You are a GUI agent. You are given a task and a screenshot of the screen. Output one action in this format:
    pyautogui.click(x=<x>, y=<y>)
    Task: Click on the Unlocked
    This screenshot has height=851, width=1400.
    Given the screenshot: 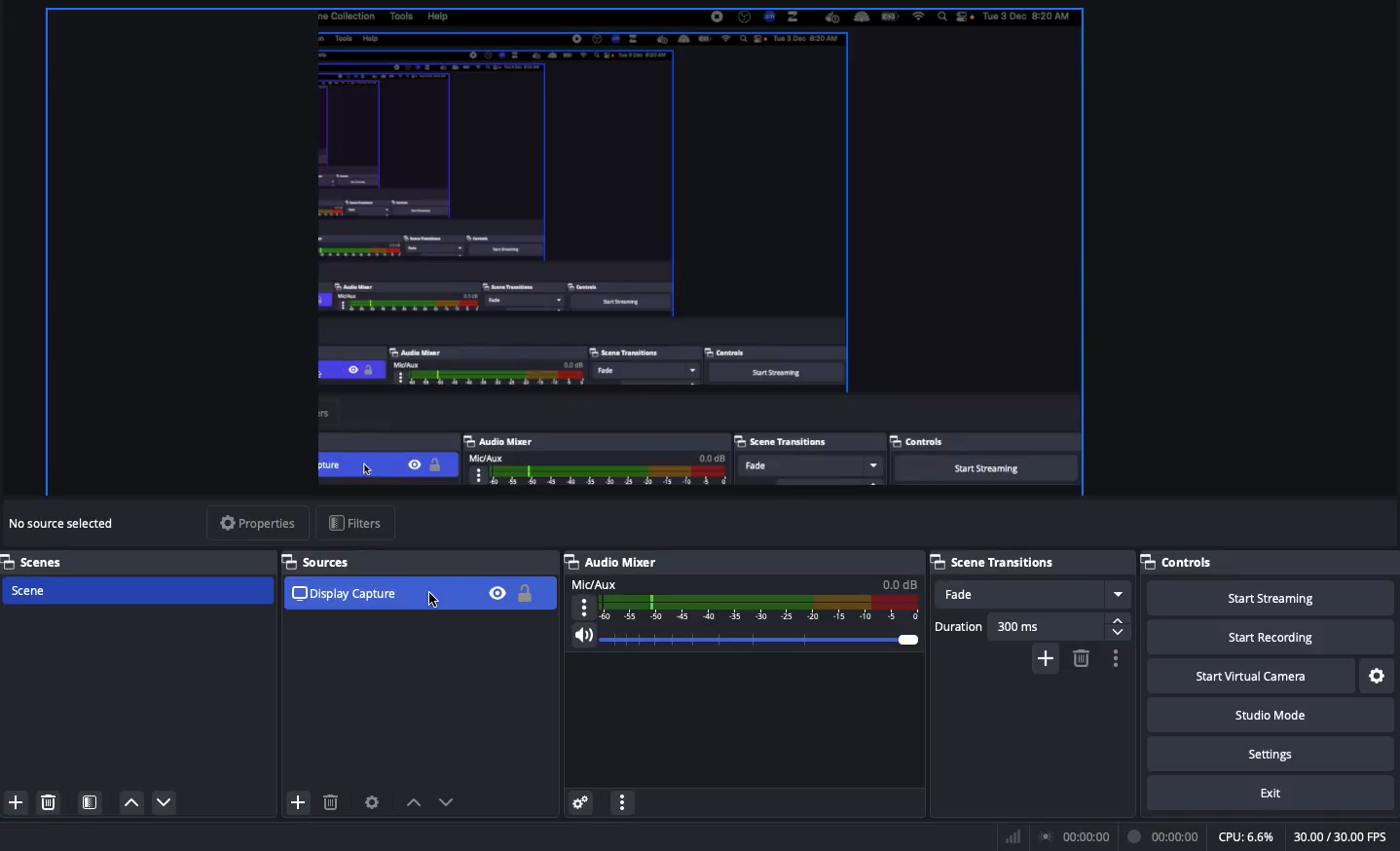 What is the action you would take?
    pyautogui.click(x=525, y=595)
    